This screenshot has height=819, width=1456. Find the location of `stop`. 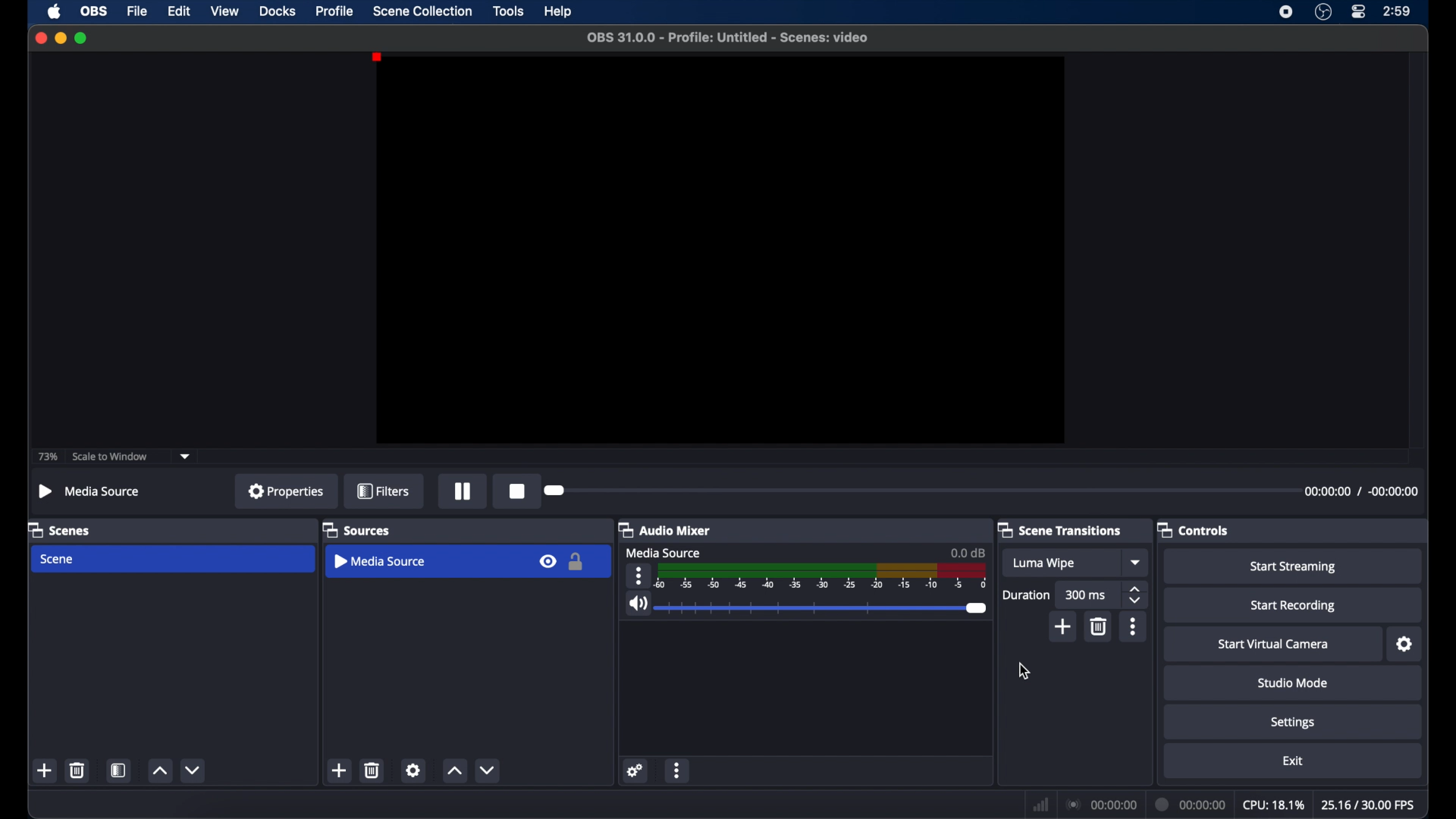

stop is located at coordinates (516, 492).